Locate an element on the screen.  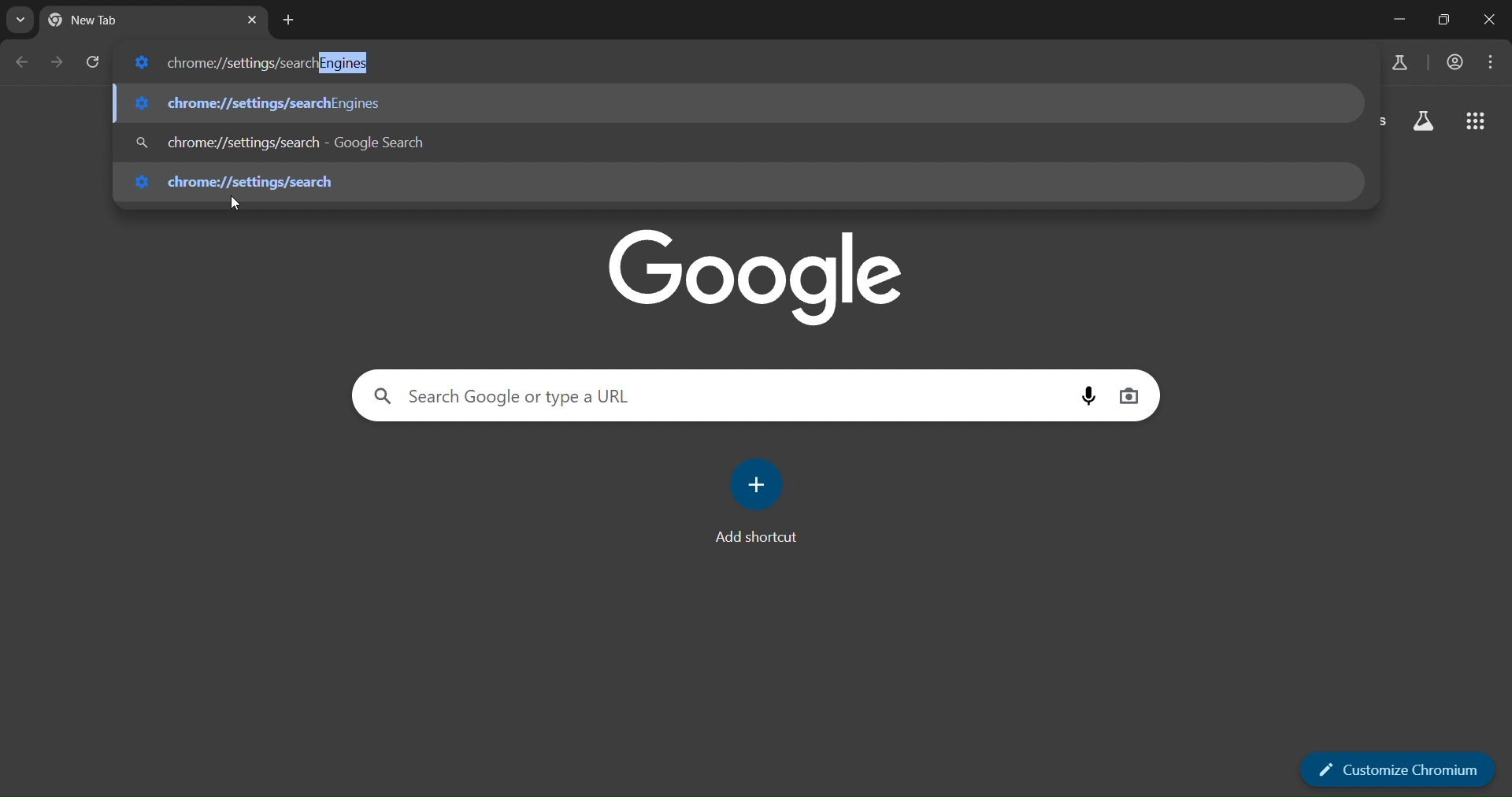
new tab is located at coordinates (288, 20).